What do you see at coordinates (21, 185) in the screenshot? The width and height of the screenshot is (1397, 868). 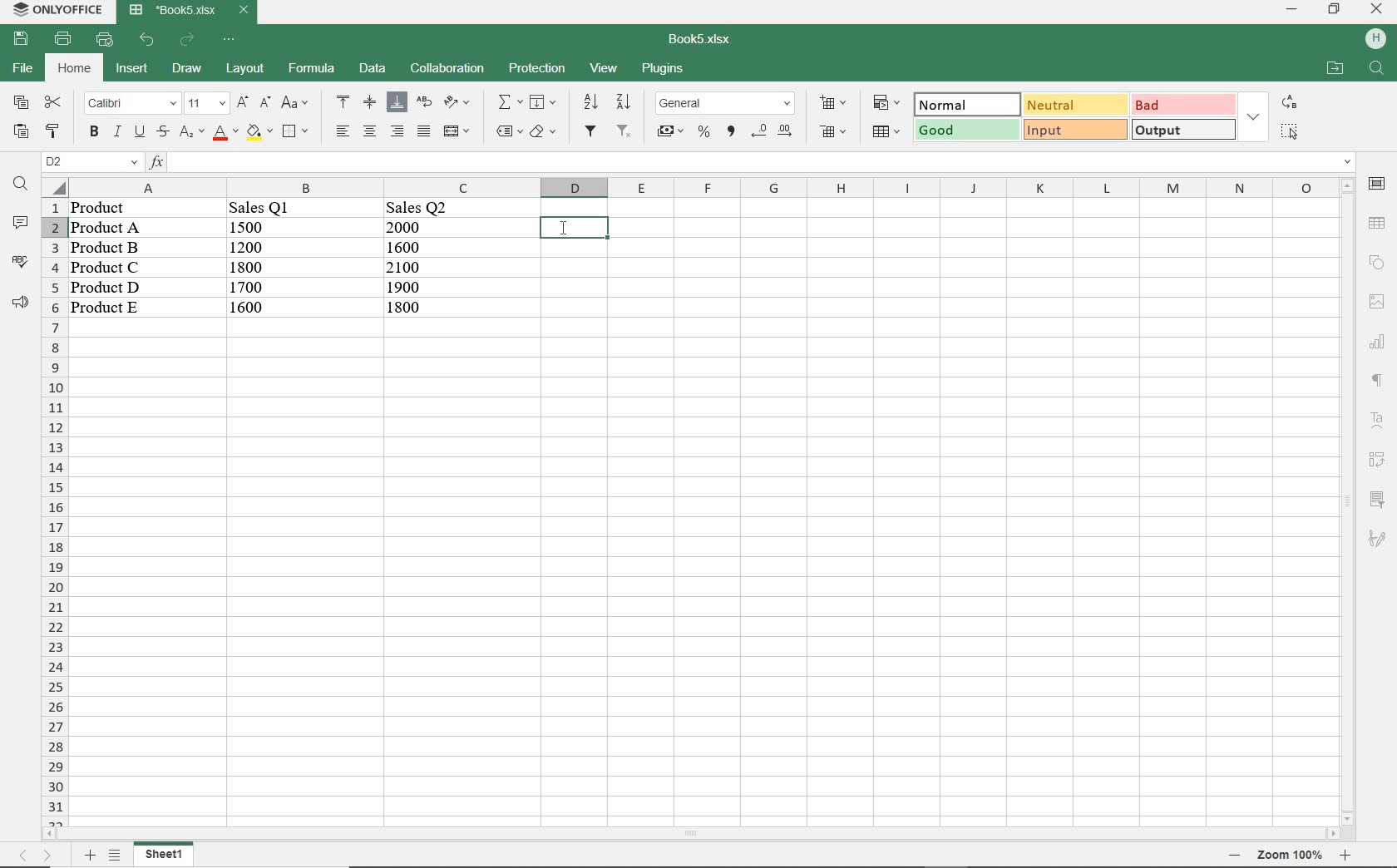 I see `find` at bounding box center [21, 185].